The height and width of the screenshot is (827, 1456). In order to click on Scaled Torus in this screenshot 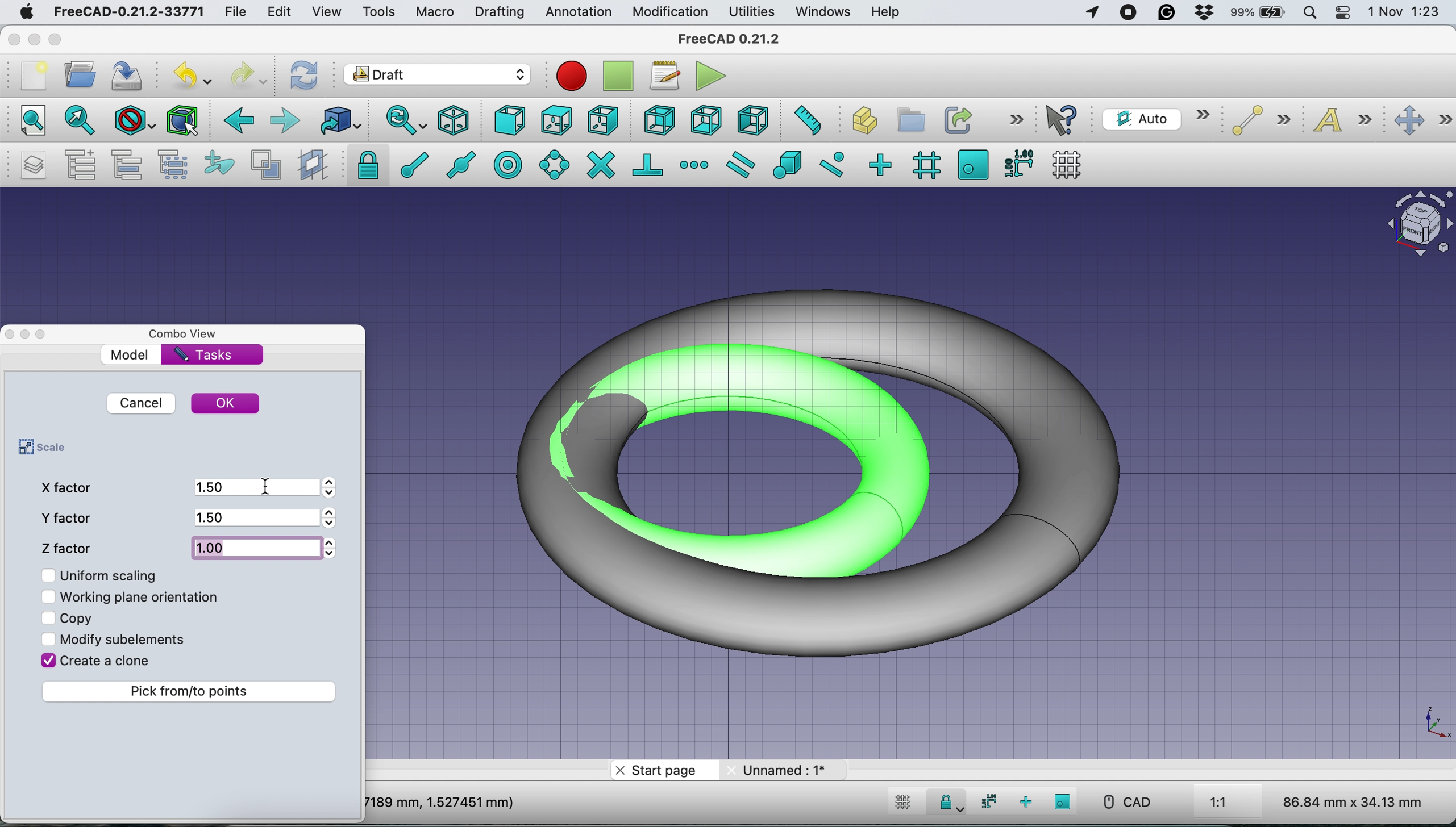, I will do `click(835, 469)`.